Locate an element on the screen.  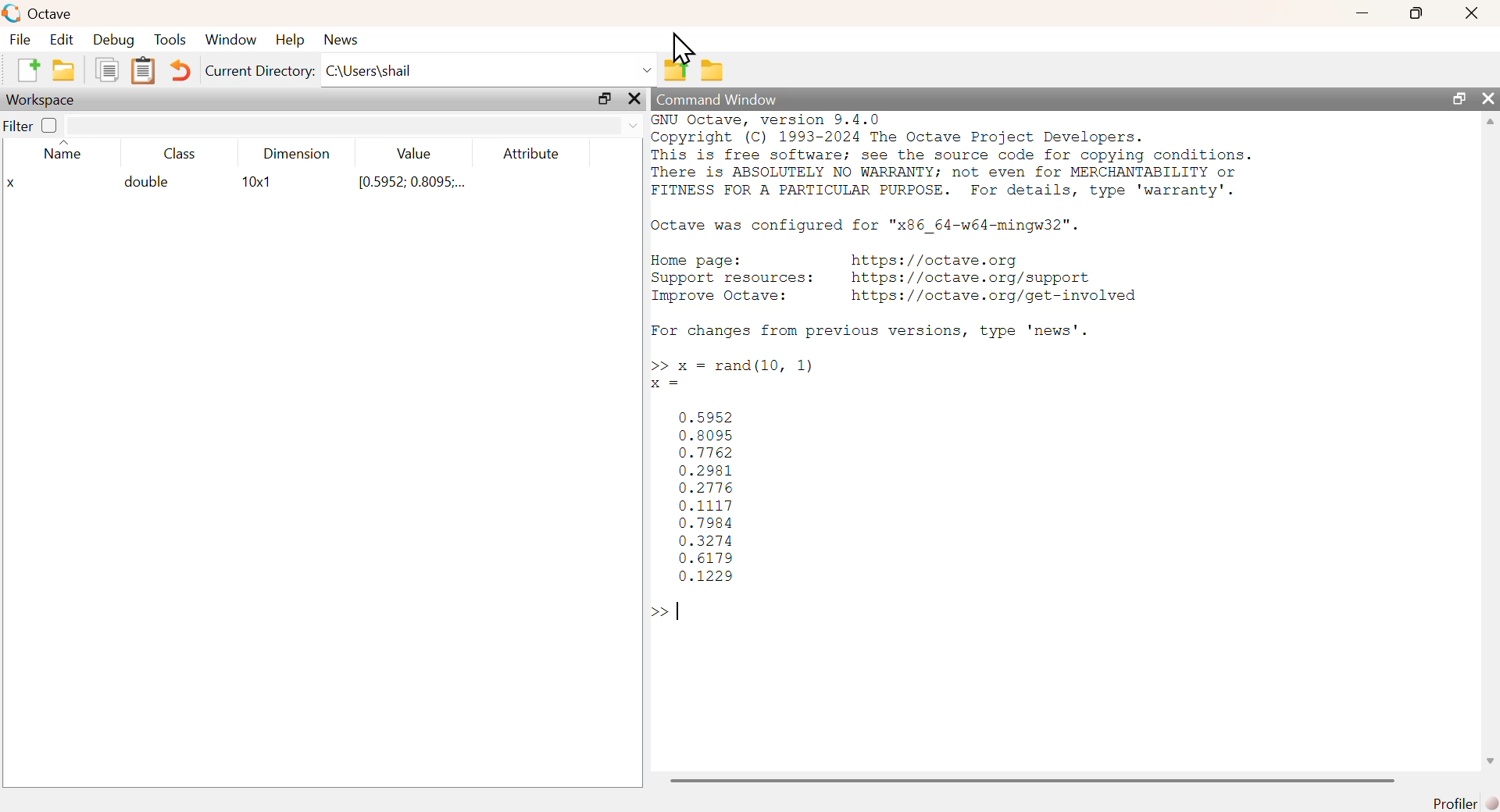
Attribute is located at coordinates (533, 155).